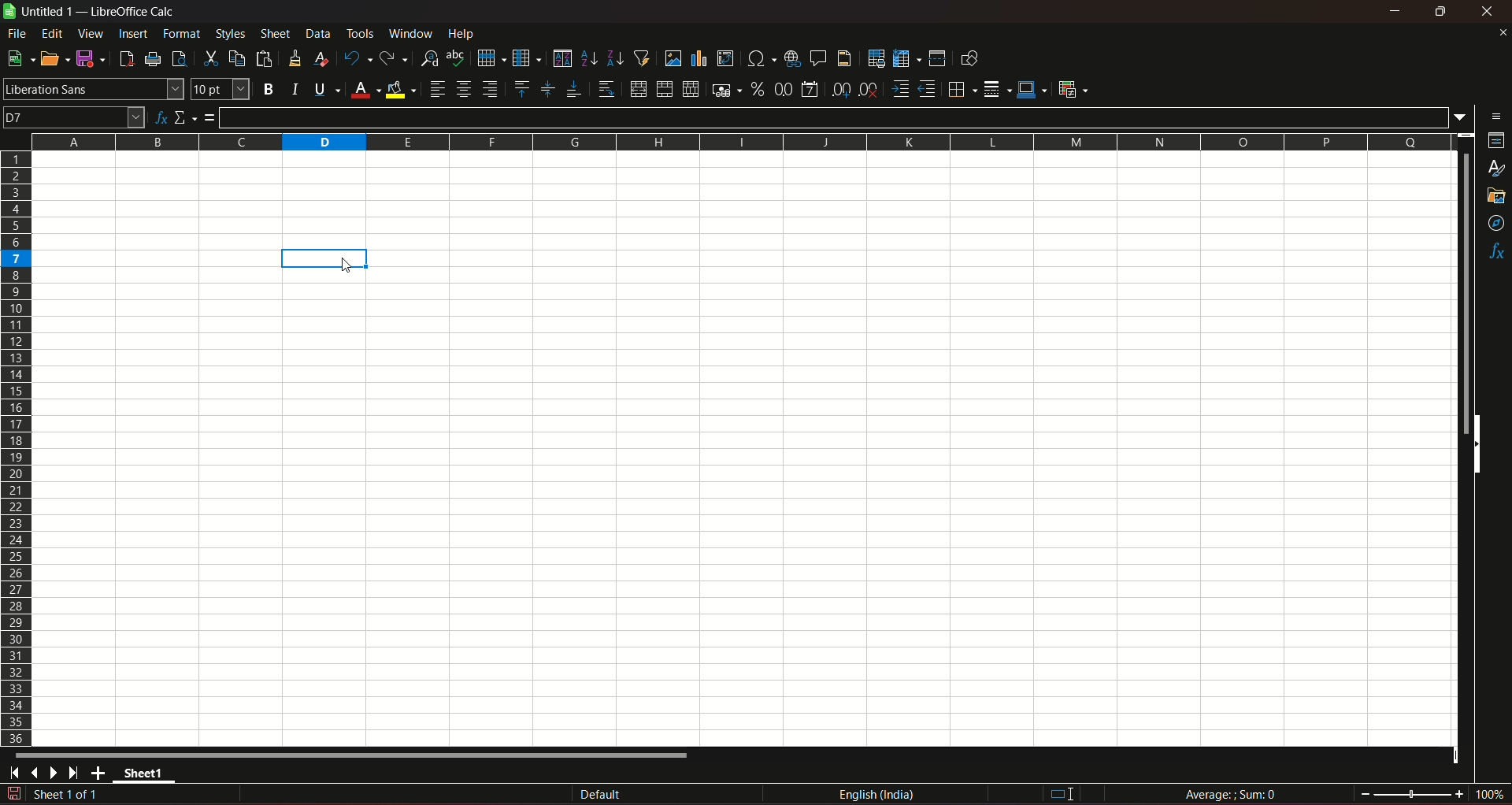  I want to click on border color, so click(1032, 88).